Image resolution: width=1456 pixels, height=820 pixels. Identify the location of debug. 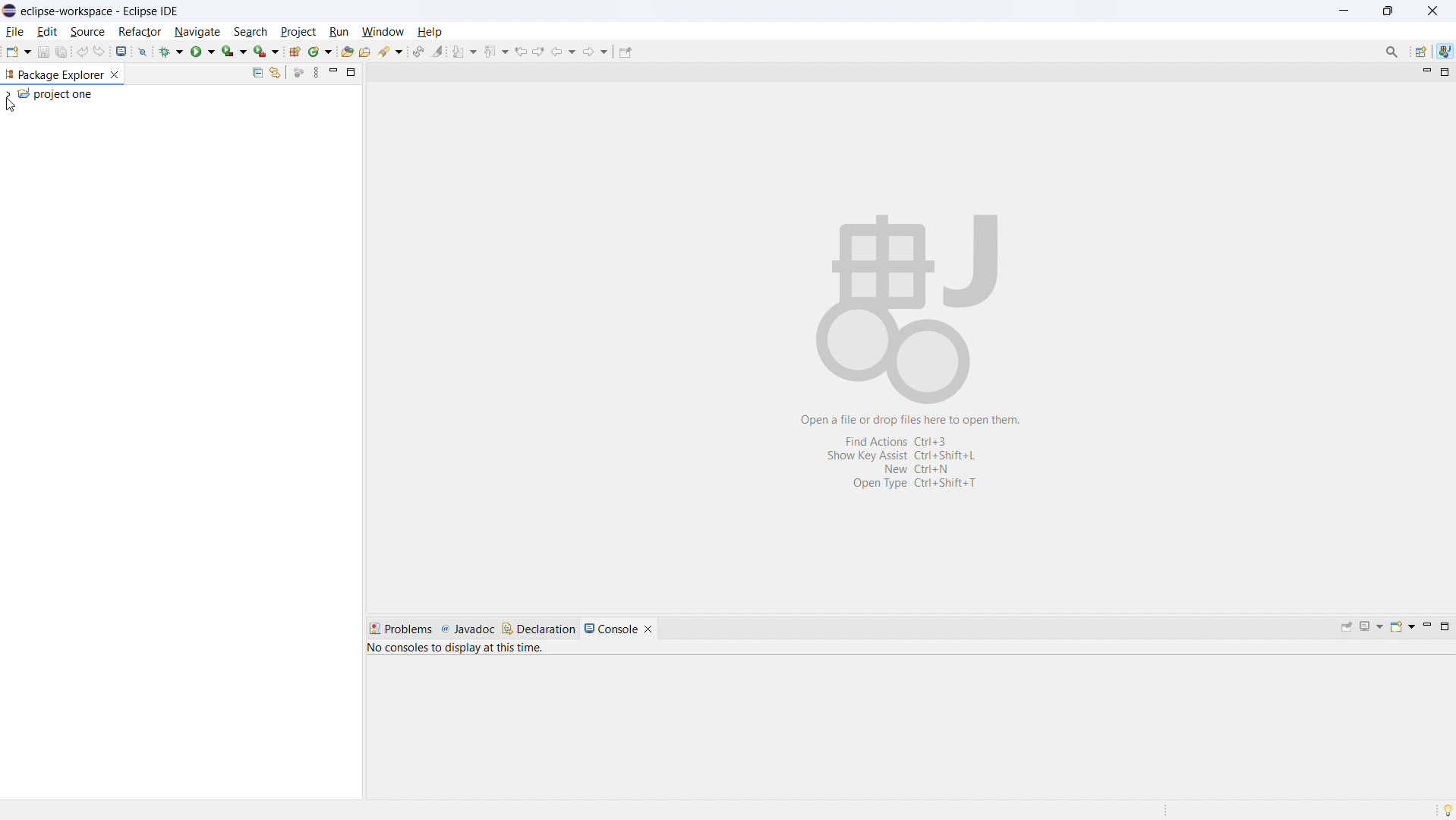
(169, 53).